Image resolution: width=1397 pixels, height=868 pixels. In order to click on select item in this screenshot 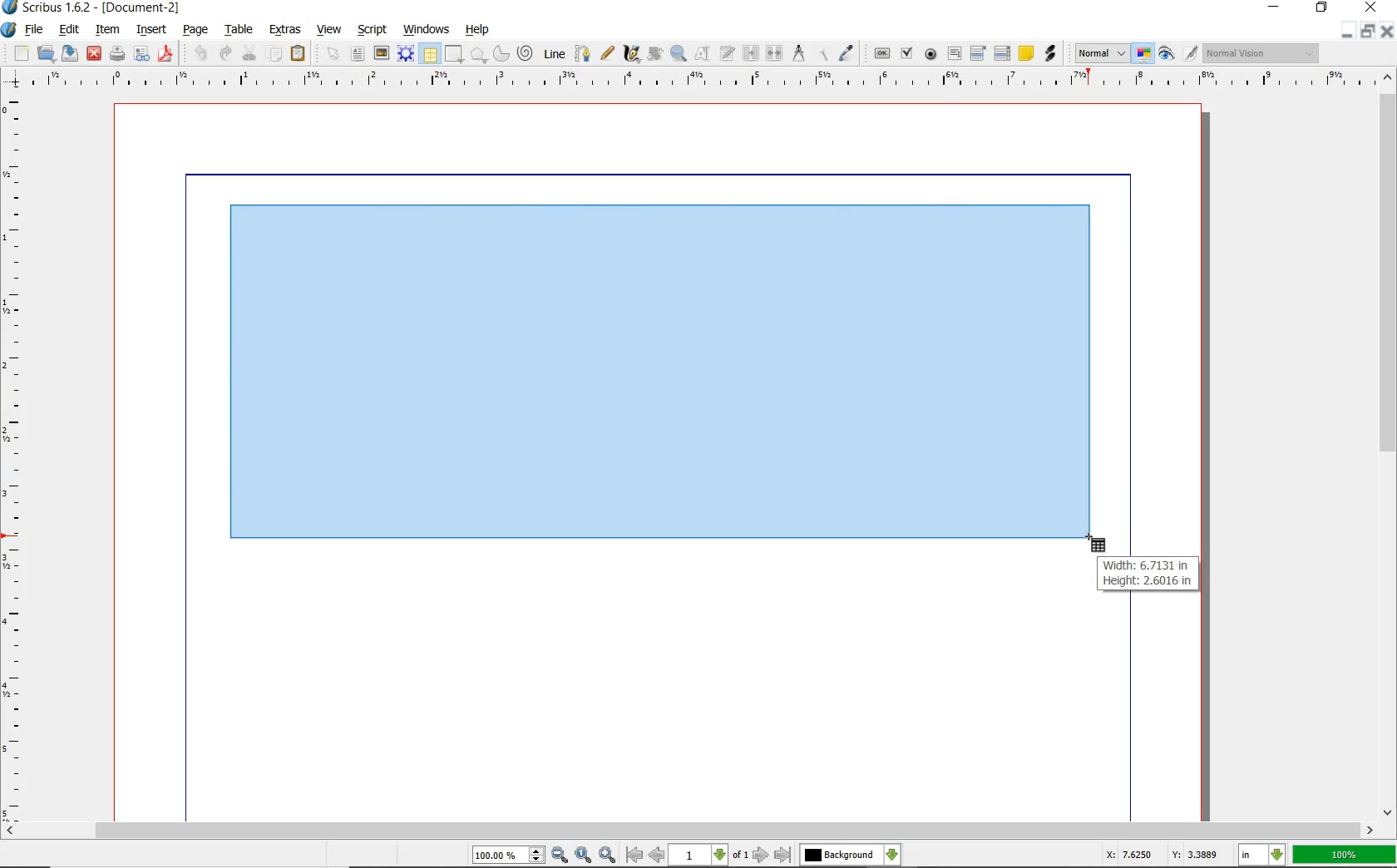, I will do `click(332, 52)`.